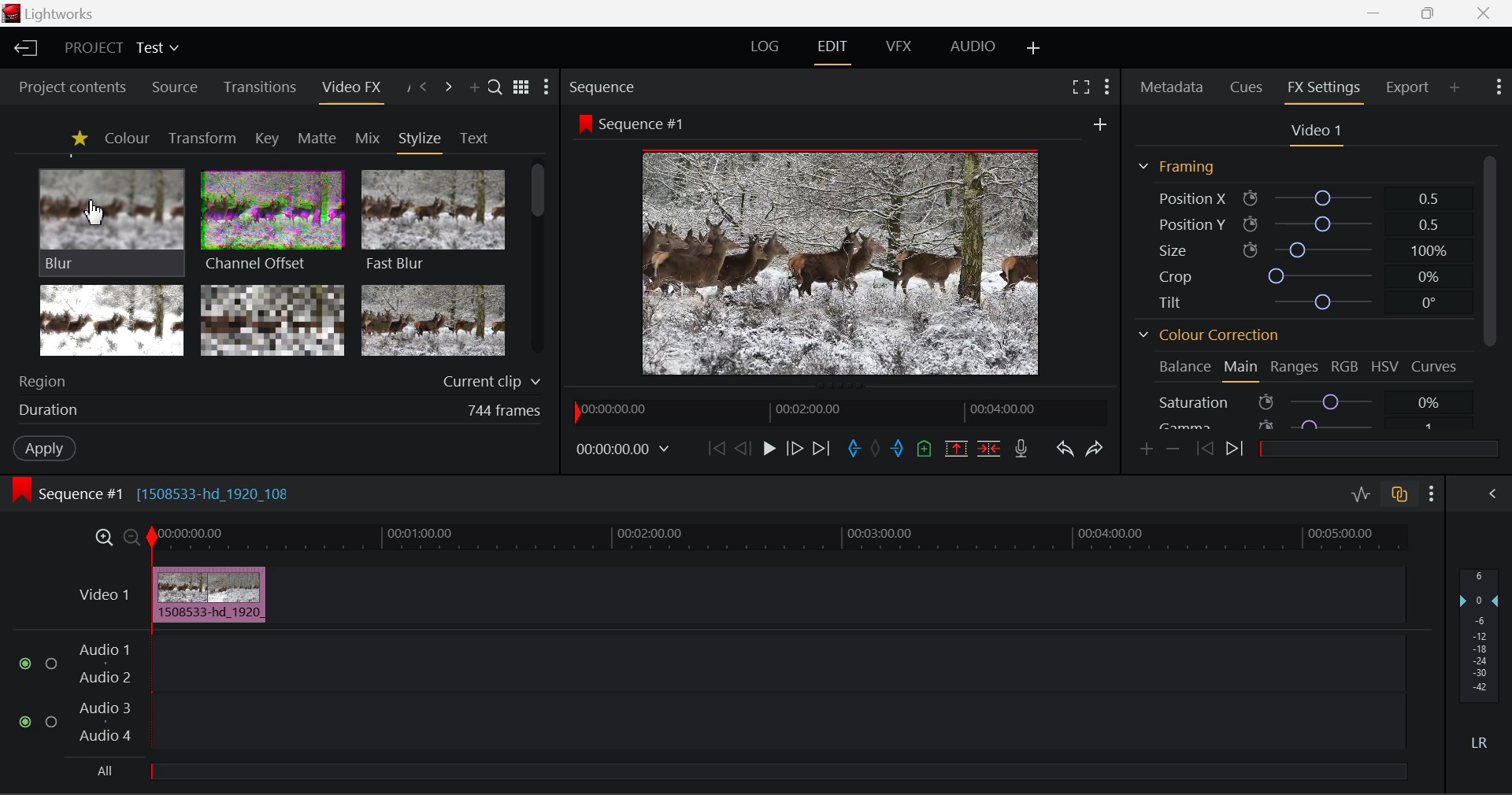  What do you see at coordinates (743, 449) in the screenshot?
I see `Go Back` at bounding box center [743, 449].